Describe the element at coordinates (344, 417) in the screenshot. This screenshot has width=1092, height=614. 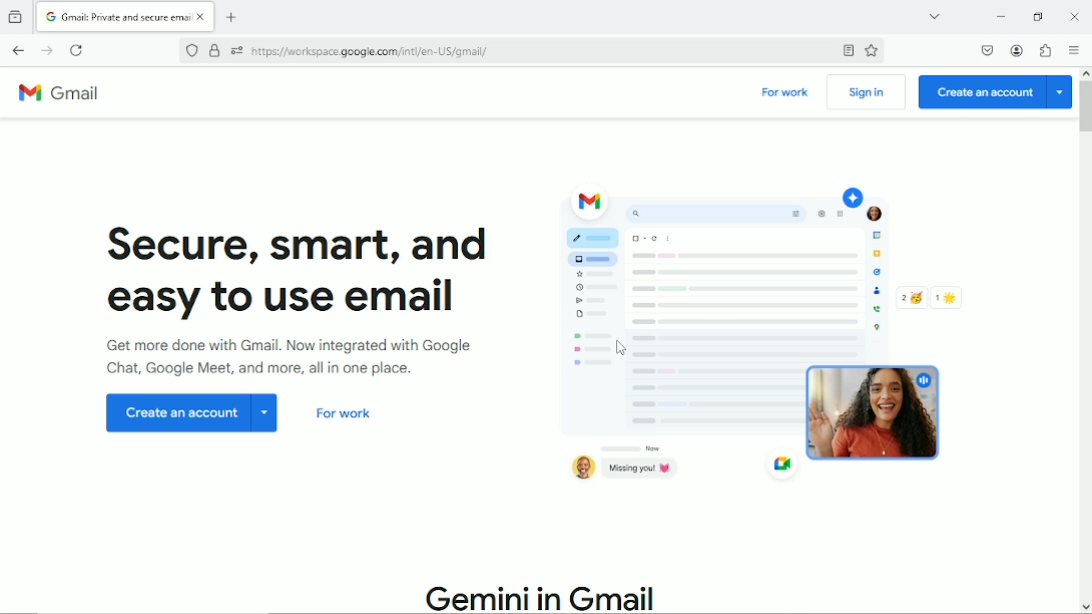
I see `For work` at that location.